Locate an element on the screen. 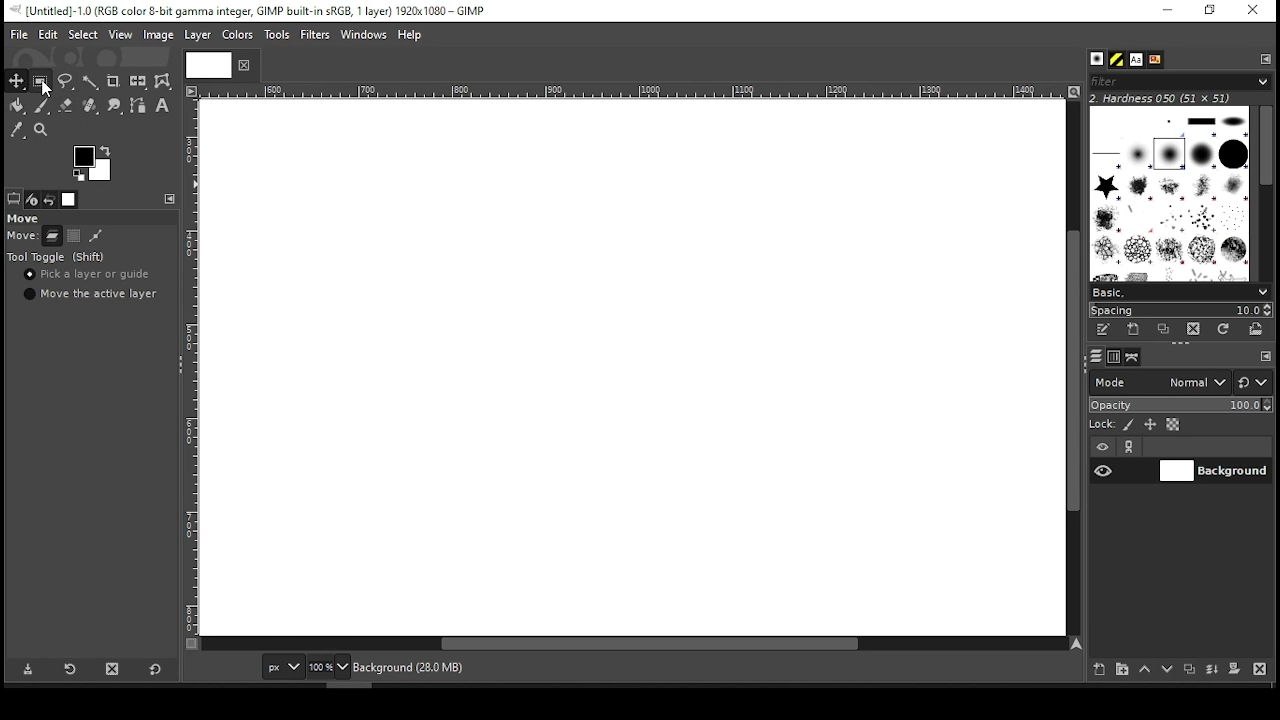  duplicate this brush is located at coordinates (1169, 329).